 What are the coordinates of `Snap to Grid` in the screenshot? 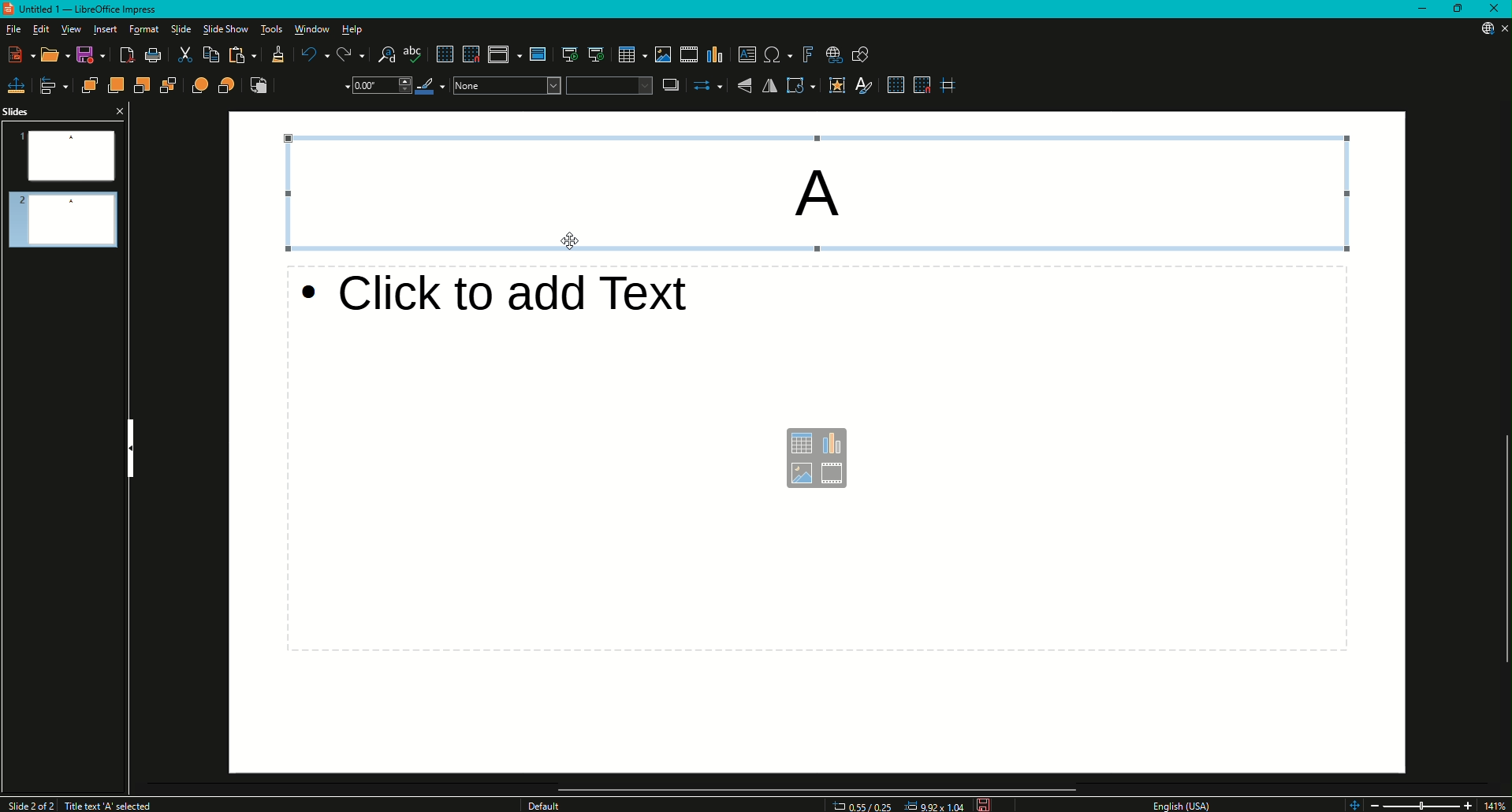 It's located at (468, 52).